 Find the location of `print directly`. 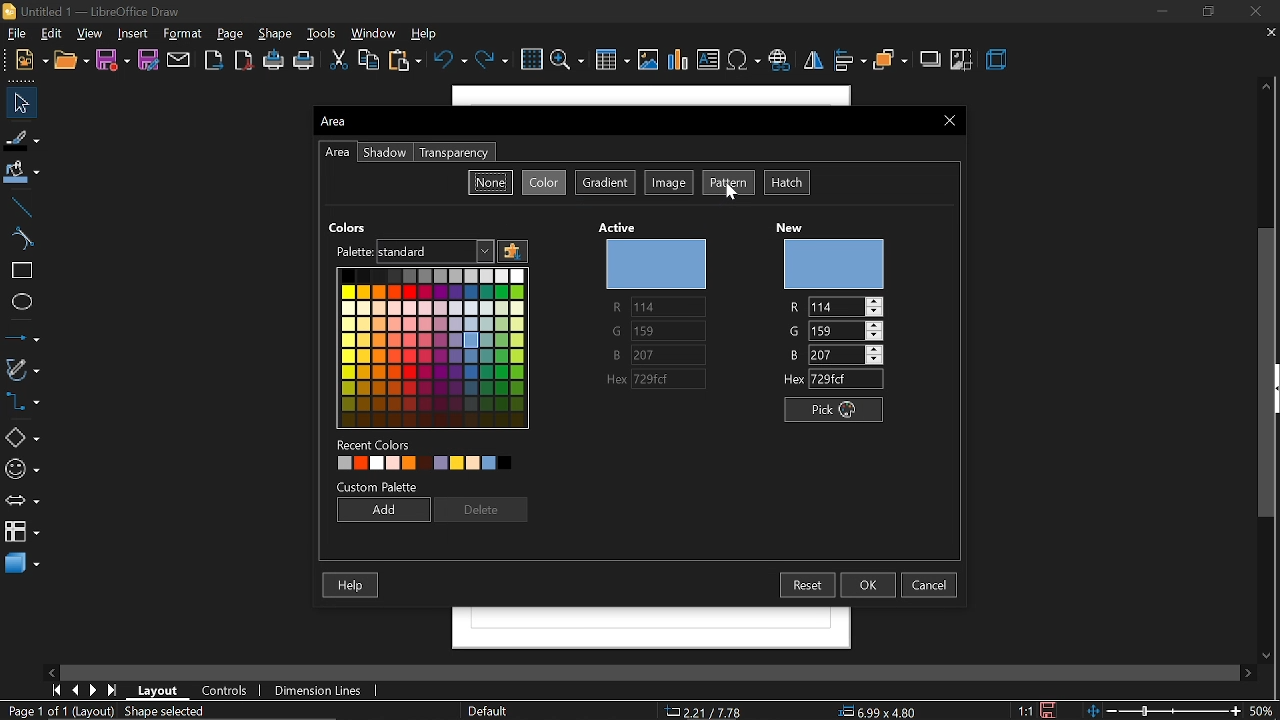

print directly is located at coordinates (274, 62).